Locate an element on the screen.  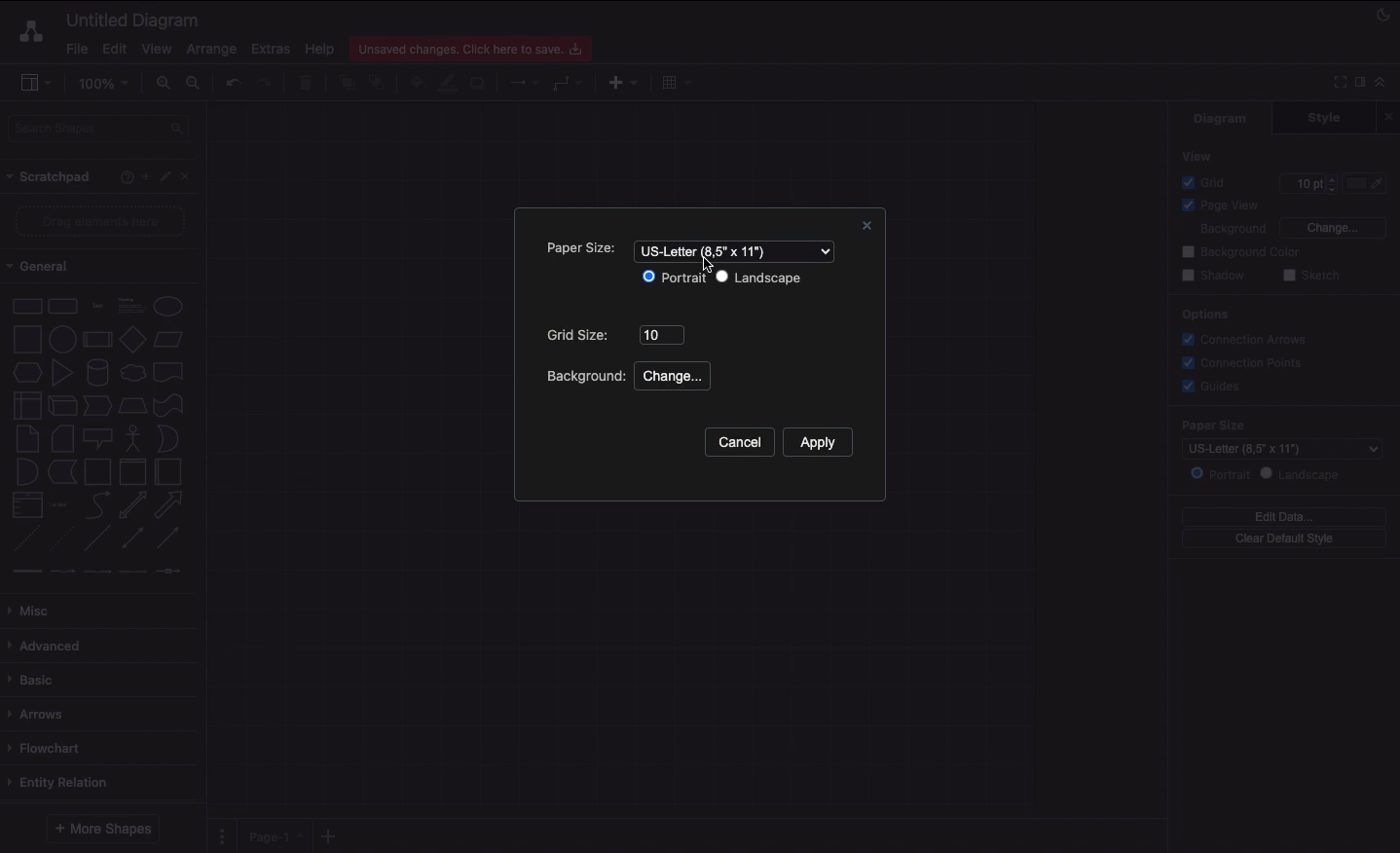
Edit is located at coordinates (167, 177).